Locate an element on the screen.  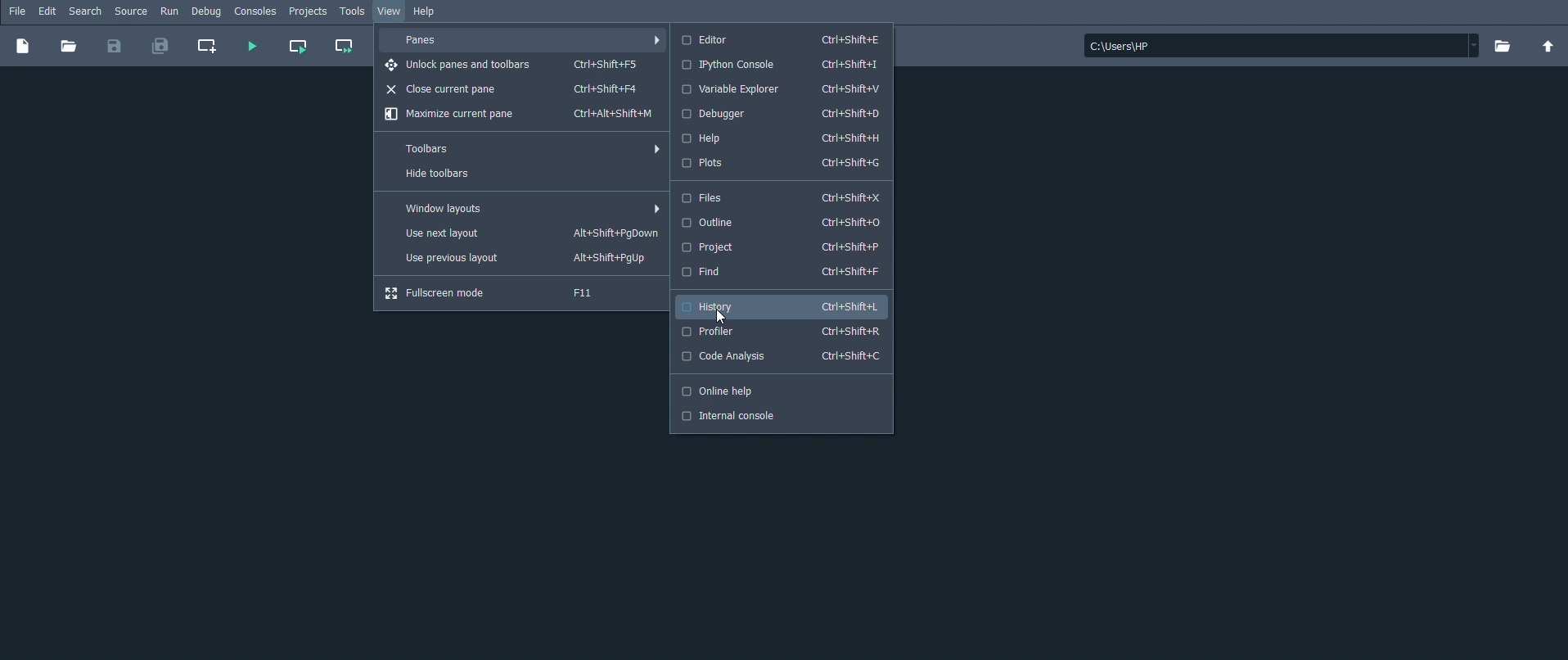
Profiler is located at coordinates (782, 332).